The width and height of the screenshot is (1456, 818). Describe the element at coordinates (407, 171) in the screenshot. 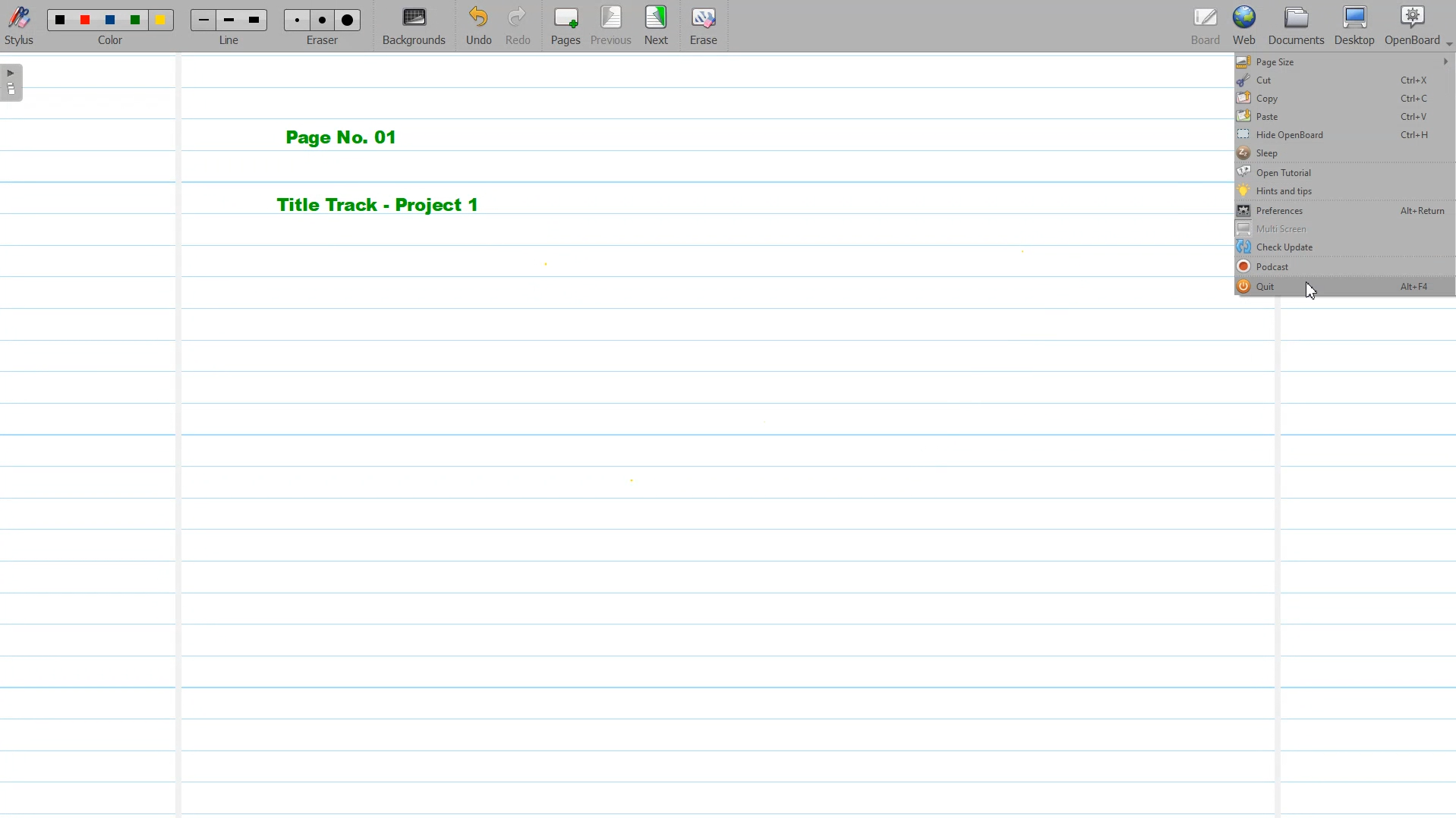

I see `Page No. 01
Title Track - Project 1` at that location.